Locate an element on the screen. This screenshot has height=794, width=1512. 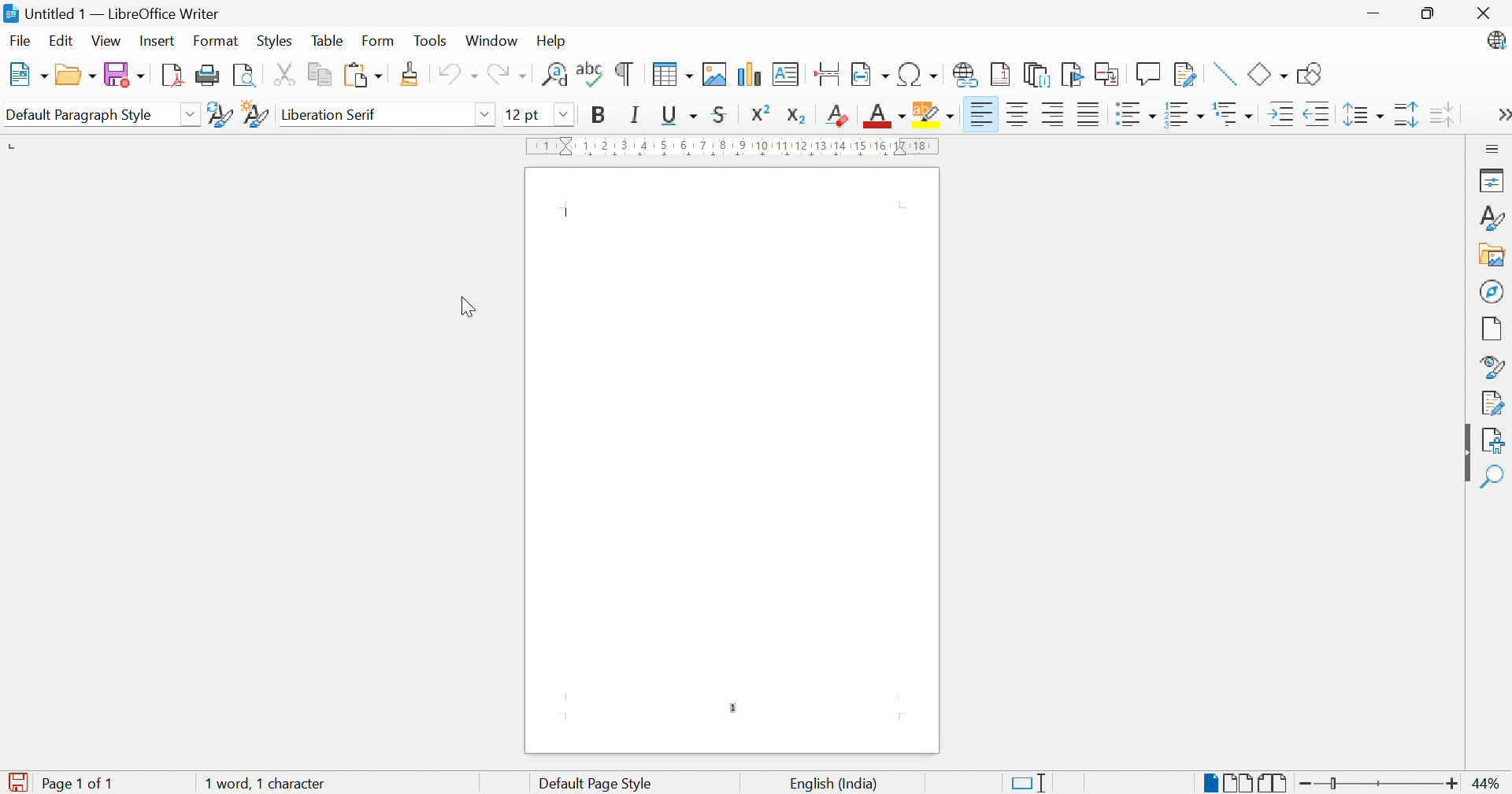
LibreOffice Update available. is located at coordinates (1495, 40).